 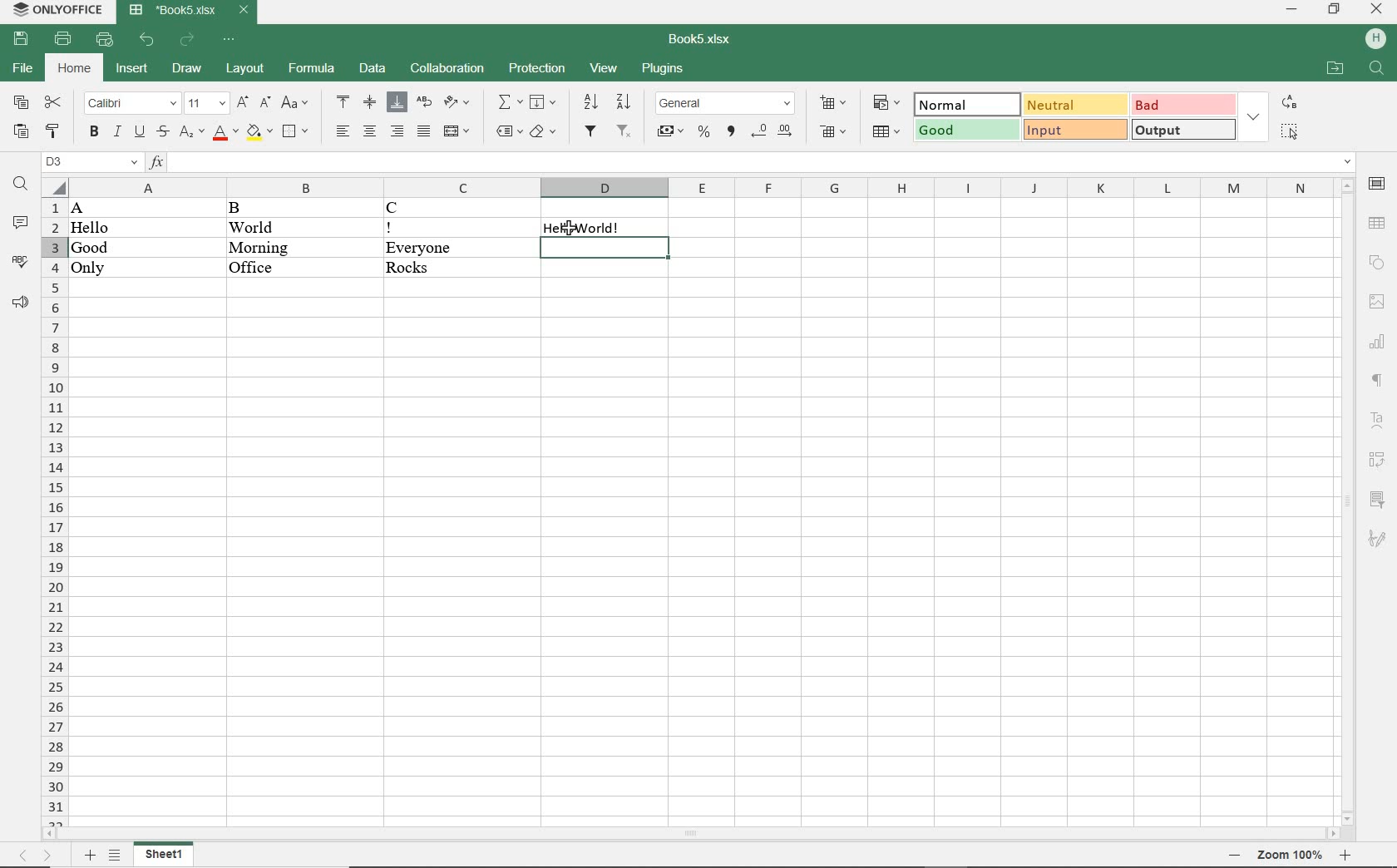 What do you see at coordinates (53, 510) in the screenshot?
I see `ROWS` at bounding box center [53, 510].